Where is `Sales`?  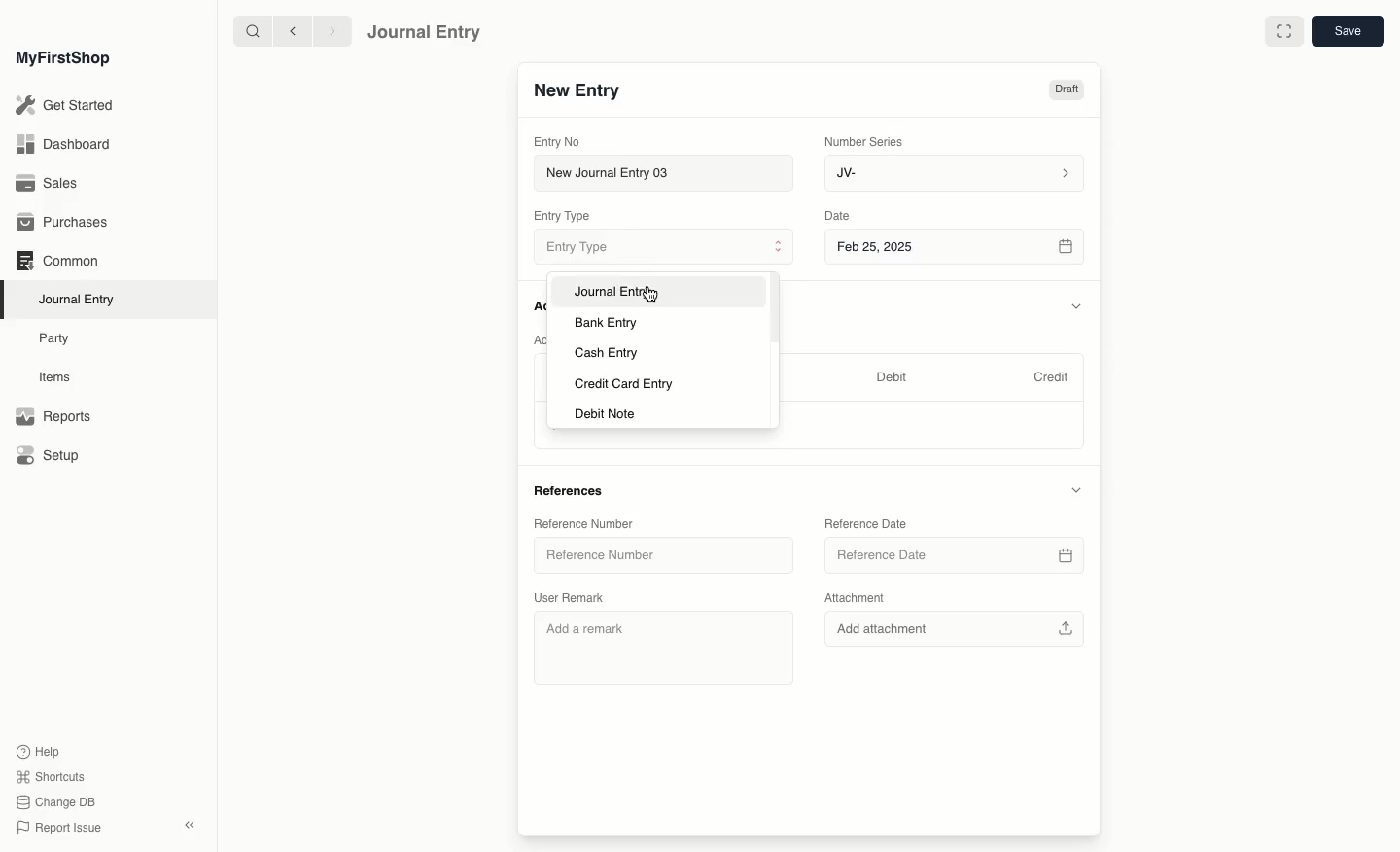 Sales is located at coordinates (48, 185).